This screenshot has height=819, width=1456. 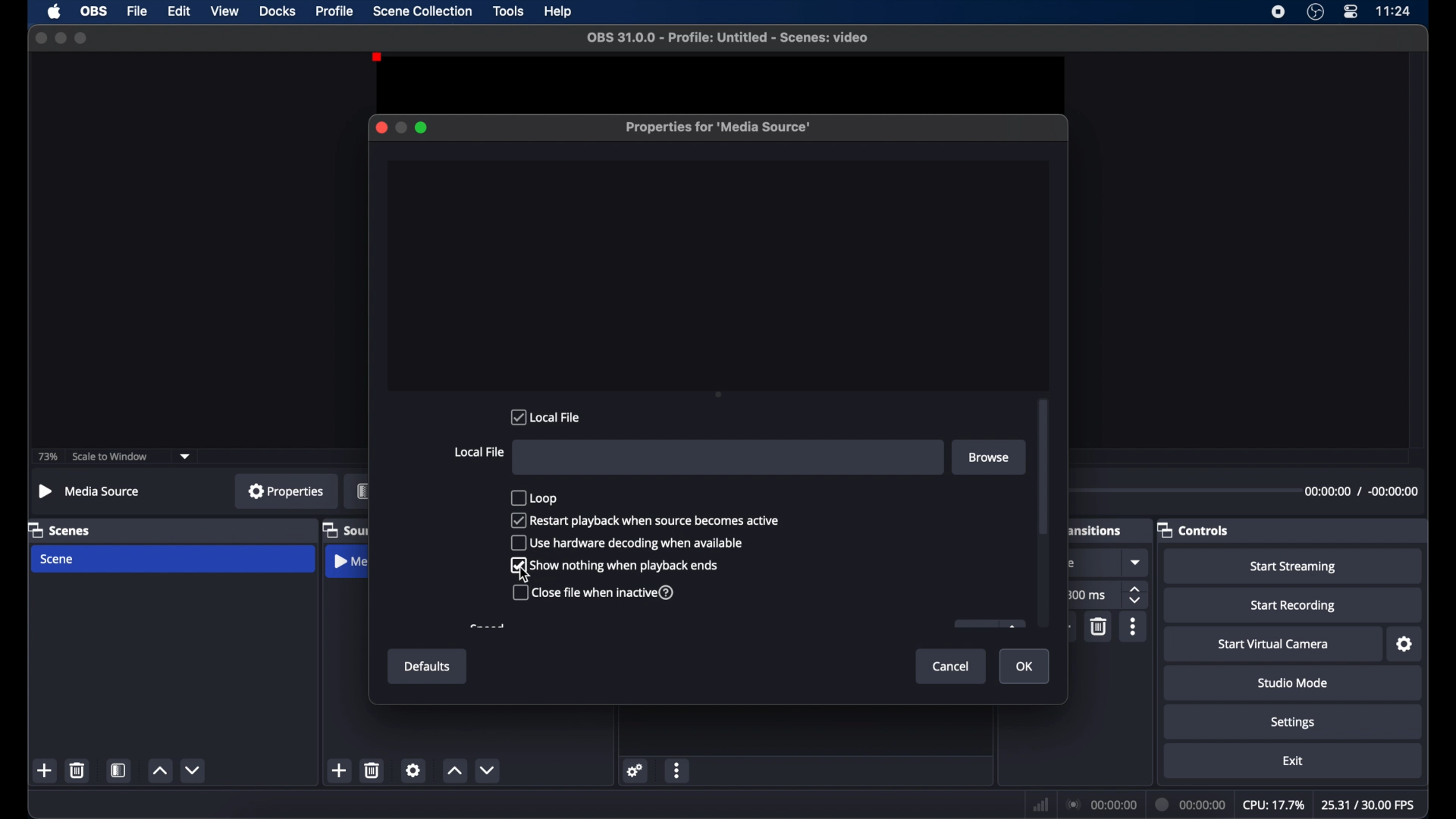 What do you see at coordinates (646, 519) in the screenshot?
I see `restart playback when source becomes active` at bounding box center [646, 519].